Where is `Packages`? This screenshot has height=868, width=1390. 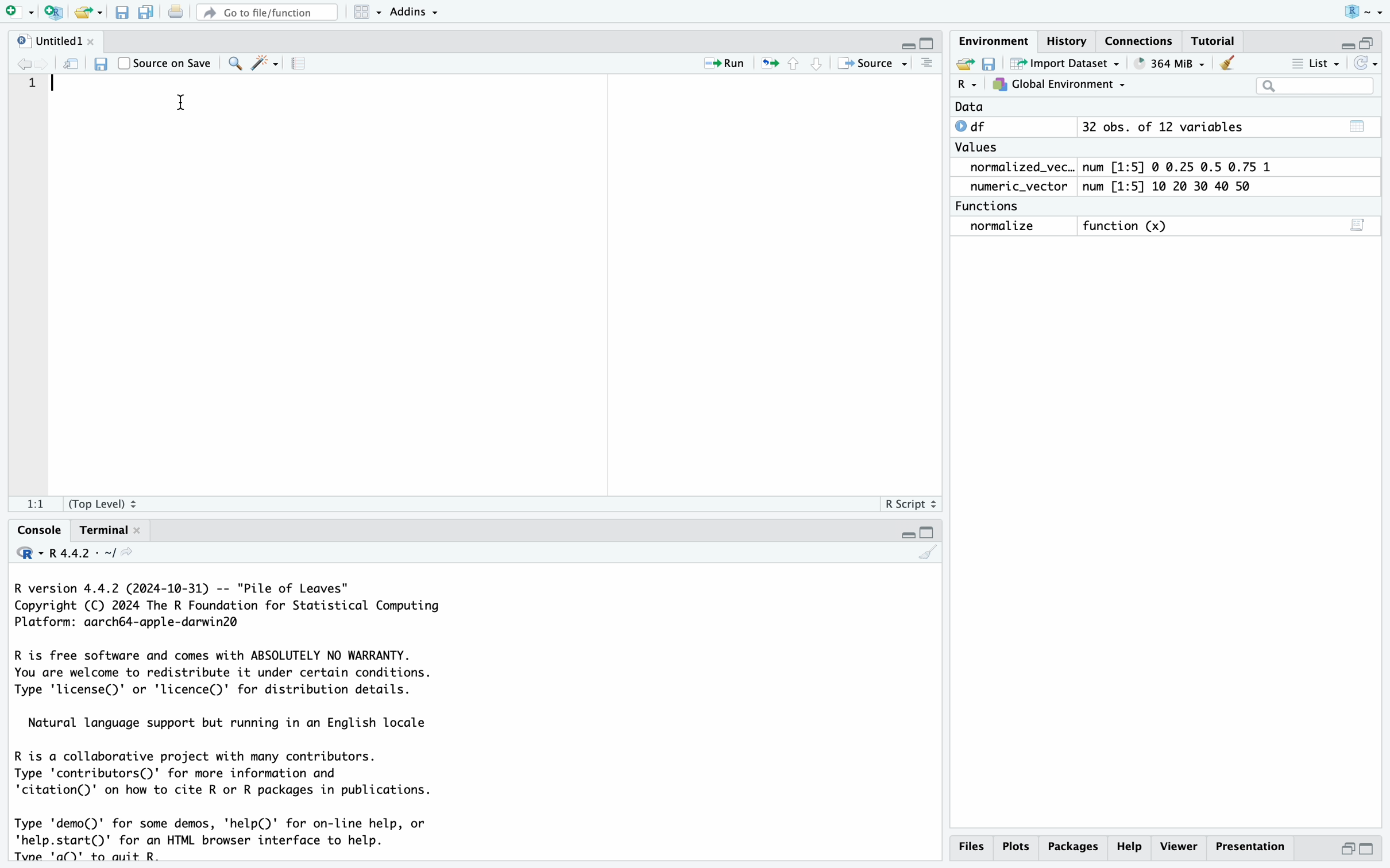
Packages is located at coordinates (1075, 846).